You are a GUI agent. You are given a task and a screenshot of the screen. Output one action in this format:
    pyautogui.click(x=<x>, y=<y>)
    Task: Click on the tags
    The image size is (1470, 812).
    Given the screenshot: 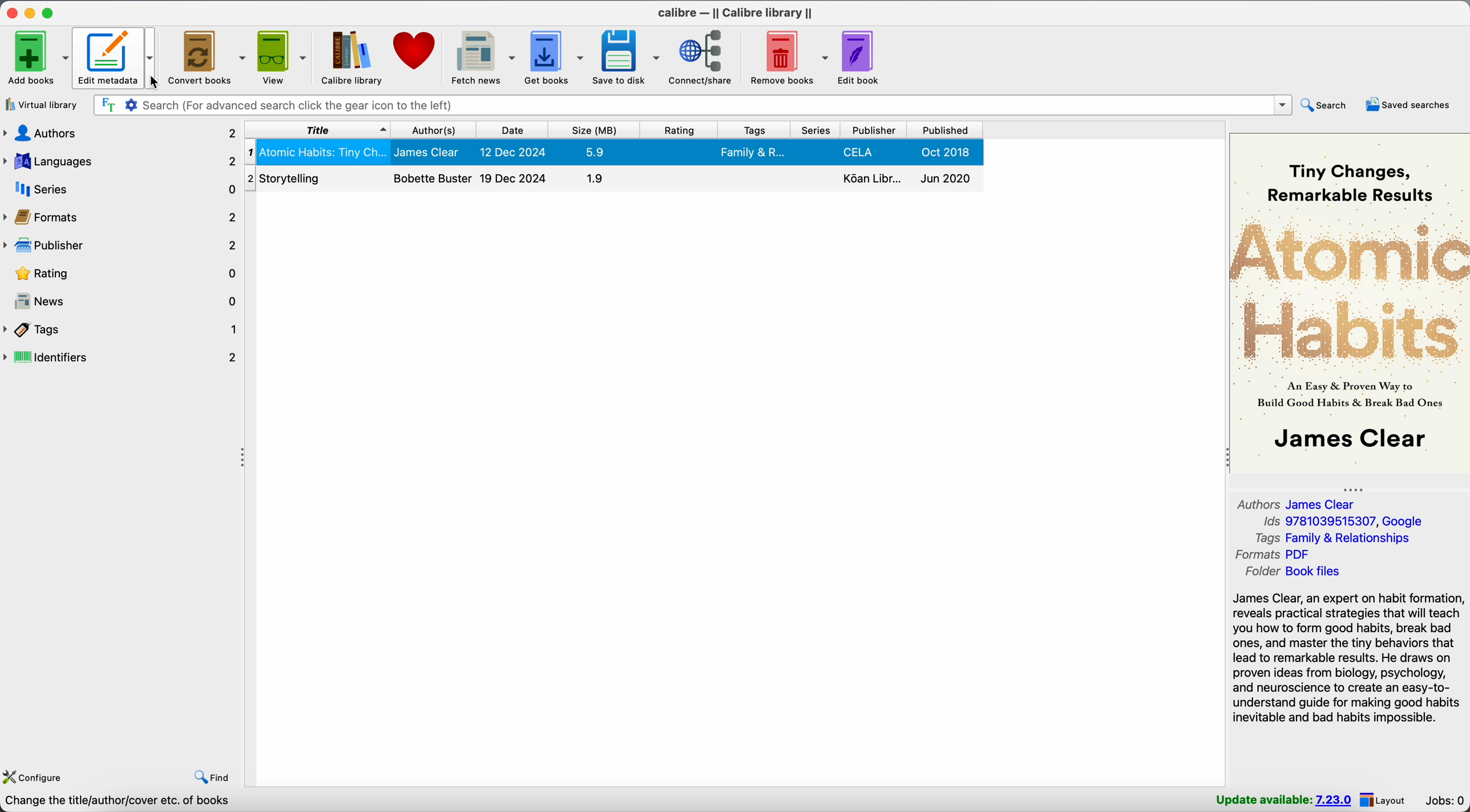 What is the action you would take?
    pyautogui.click(x=122, y=329)
    